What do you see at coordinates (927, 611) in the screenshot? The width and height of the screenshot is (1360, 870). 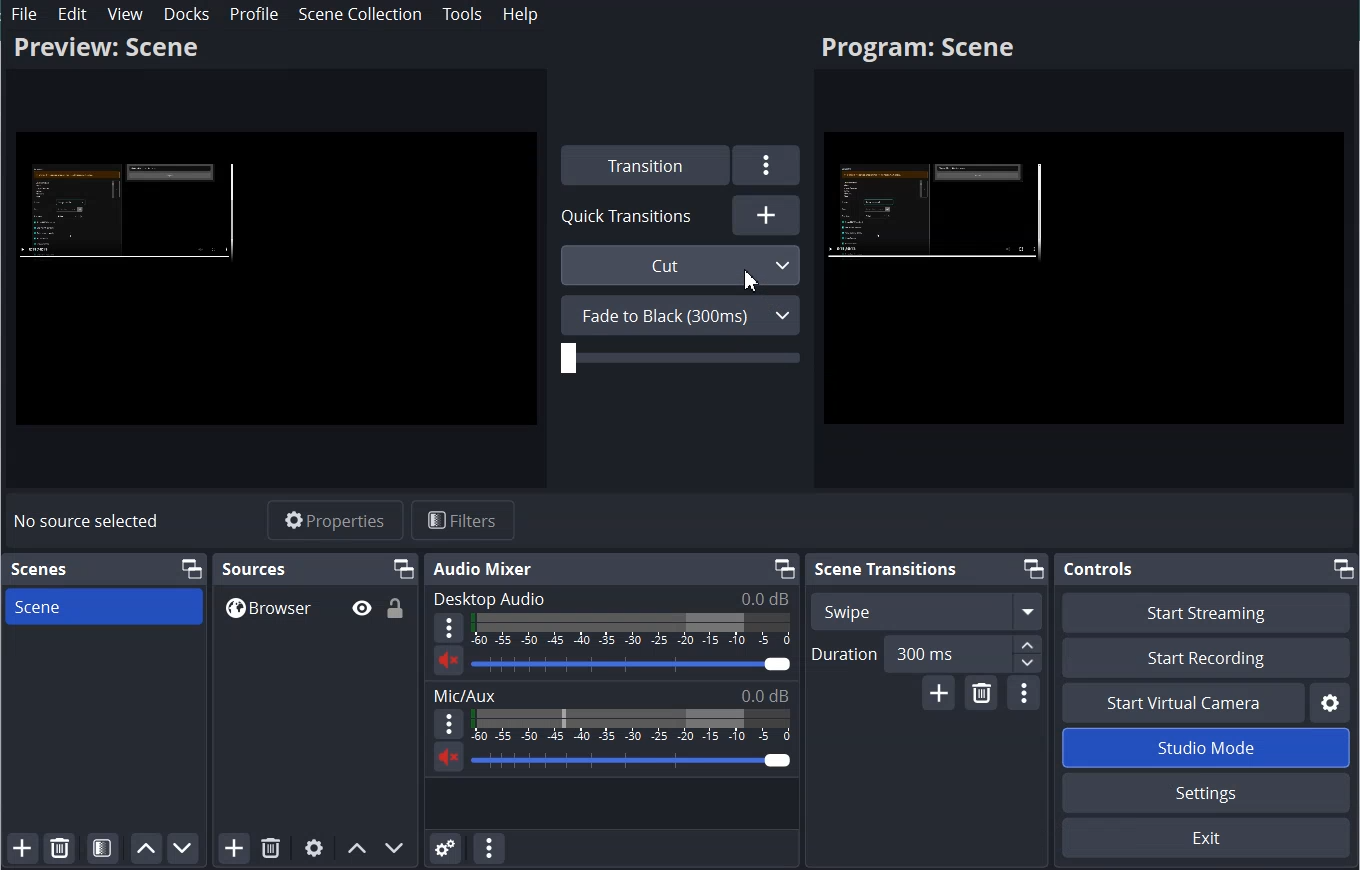 I see `Swipe` at bounding box center [927, 611].